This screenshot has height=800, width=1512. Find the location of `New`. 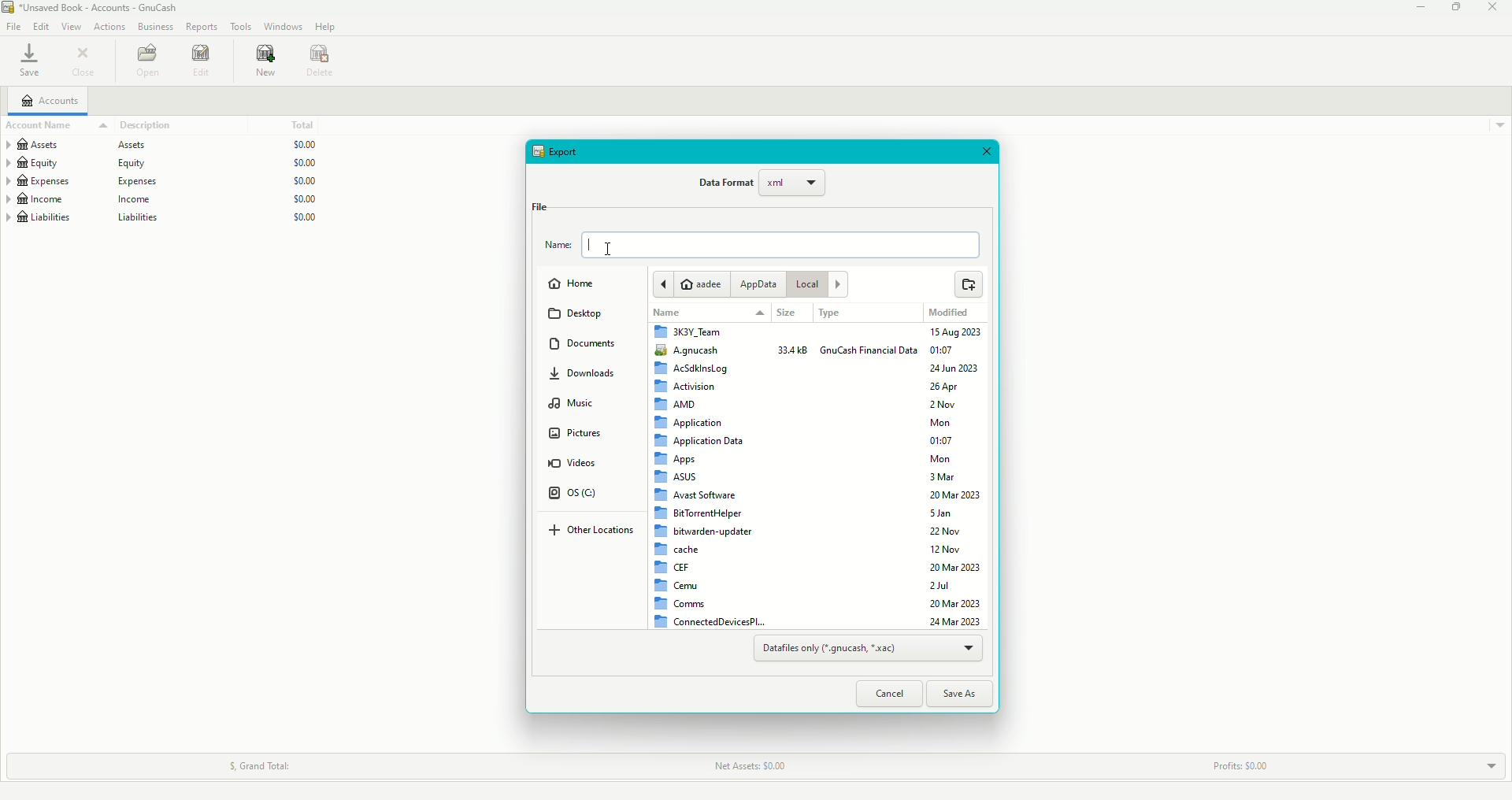

New is located at coordinates (268, 63).